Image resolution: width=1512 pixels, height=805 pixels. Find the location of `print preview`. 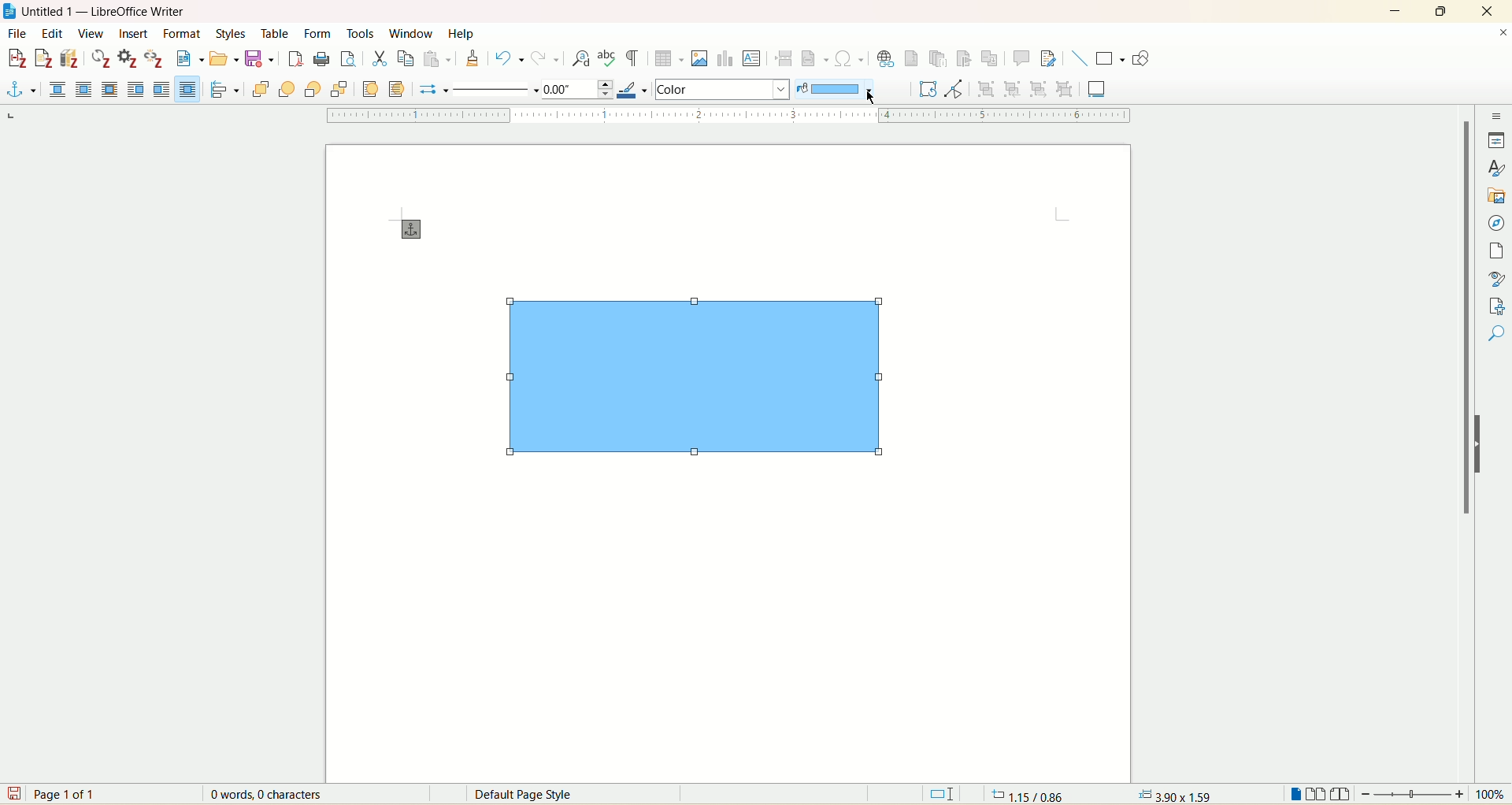

print preview is located at coordinates (347, 61).